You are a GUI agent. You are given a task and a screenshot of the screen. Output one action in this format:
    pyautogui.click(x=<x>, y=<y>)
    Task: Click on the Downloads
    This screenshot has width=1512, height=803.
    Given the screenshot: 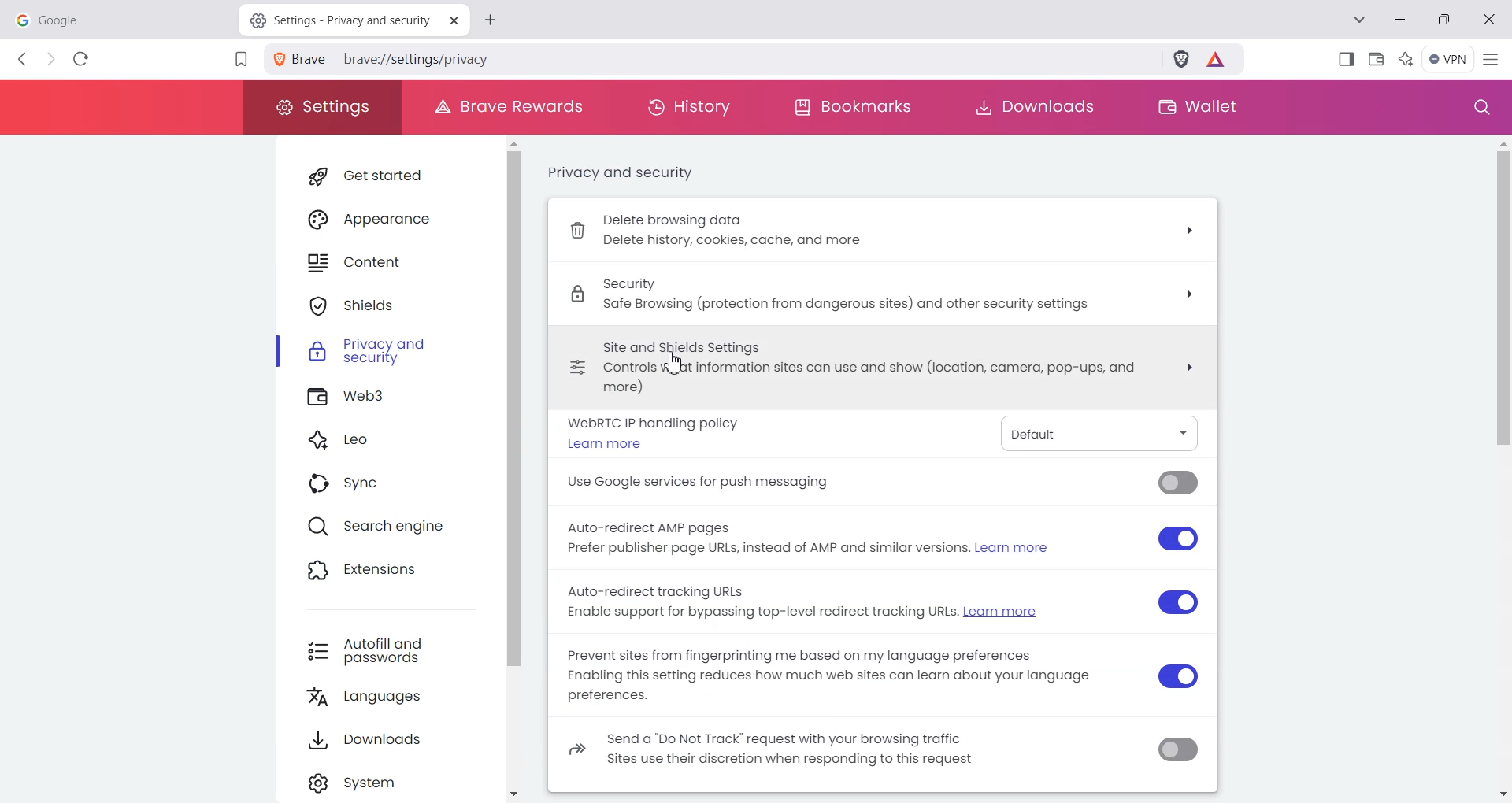 What is the action you would take?
    pyautogui.click(x=396, y=743)
    